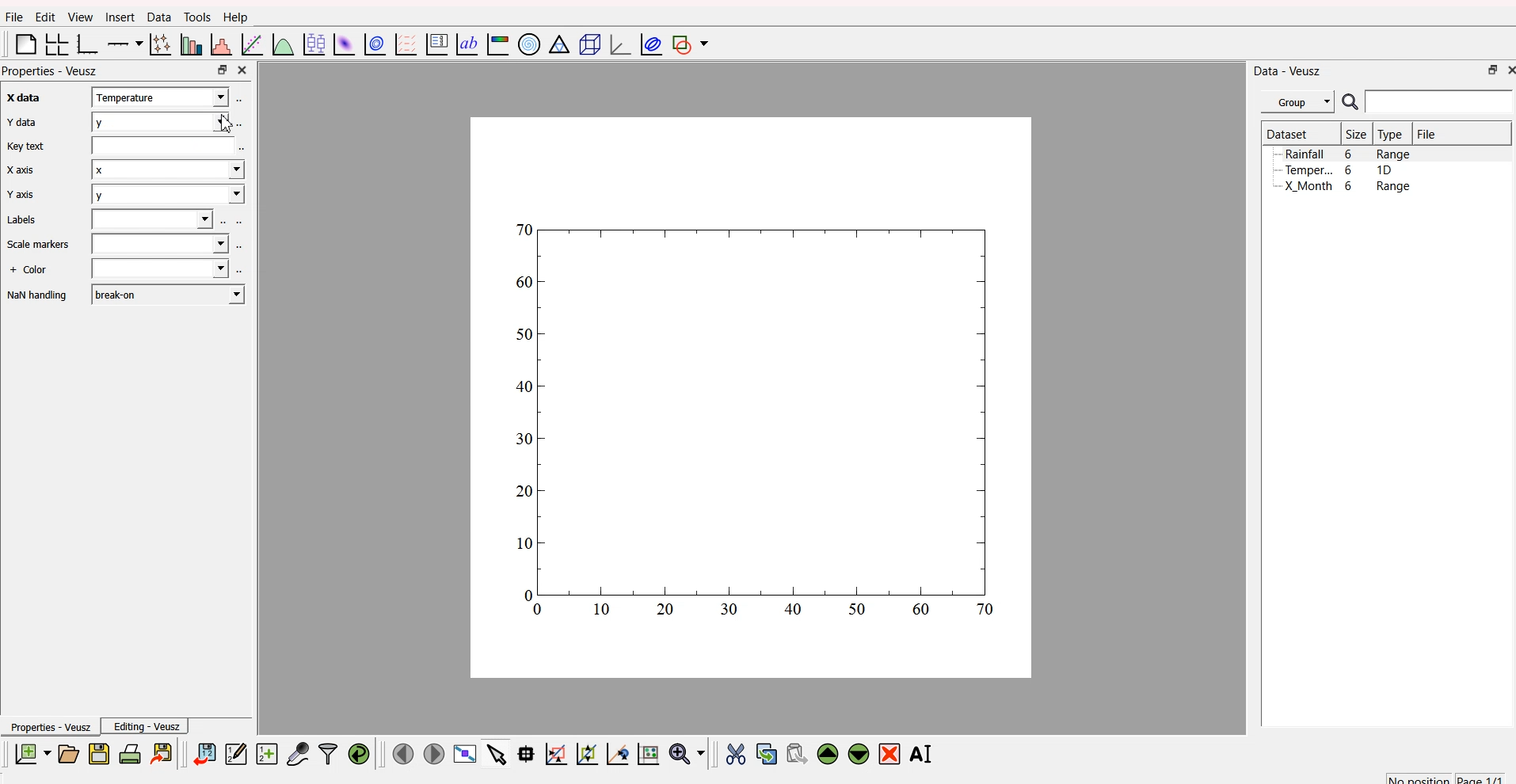  What do you see at coordinates (154, 220) in the screenshot?
I see `field` at bounding box center [154, 220].